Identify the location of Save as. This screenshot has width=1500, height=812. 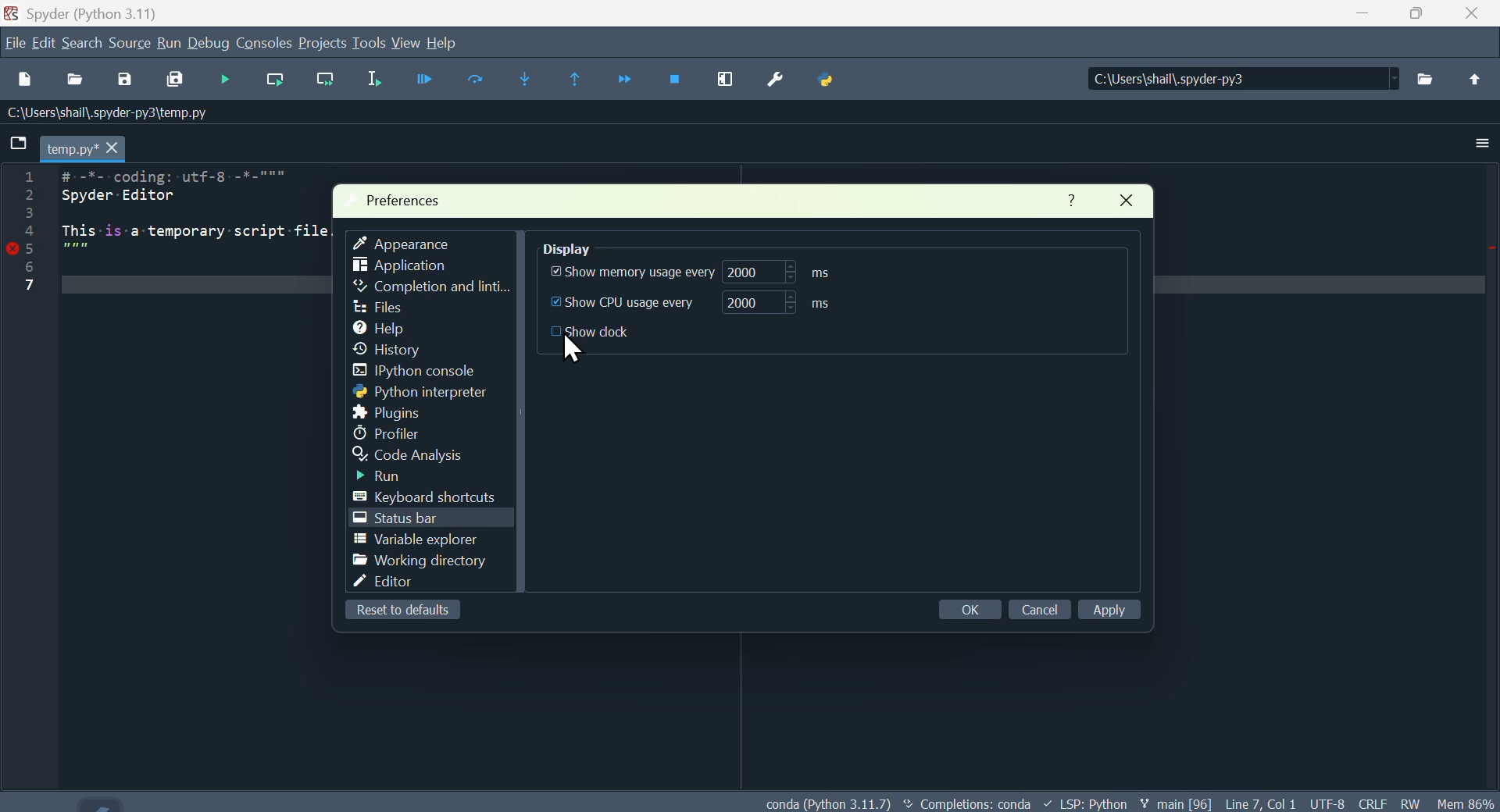
(130, 80).